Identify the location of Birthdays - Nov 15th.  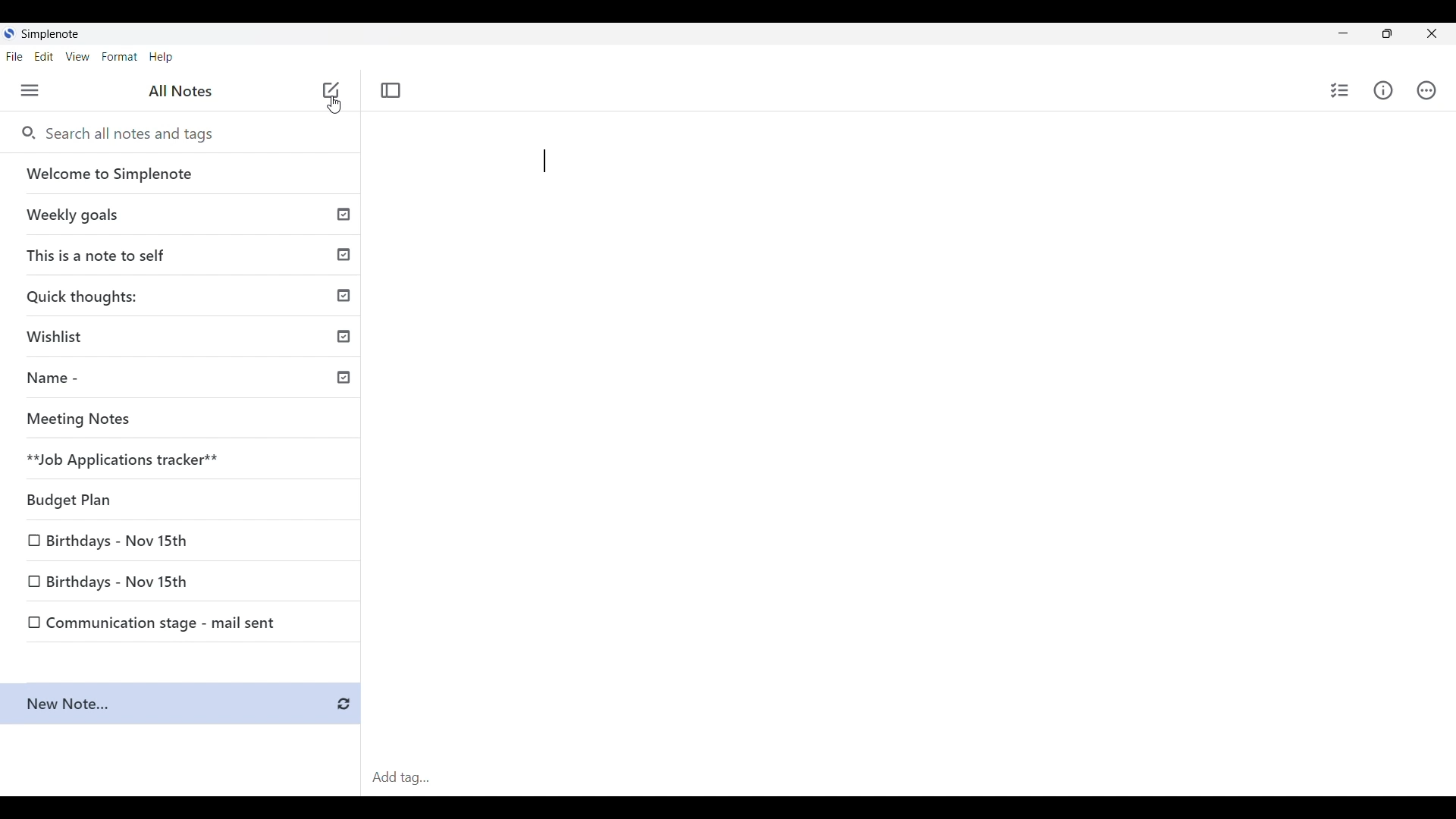
(182, 584).